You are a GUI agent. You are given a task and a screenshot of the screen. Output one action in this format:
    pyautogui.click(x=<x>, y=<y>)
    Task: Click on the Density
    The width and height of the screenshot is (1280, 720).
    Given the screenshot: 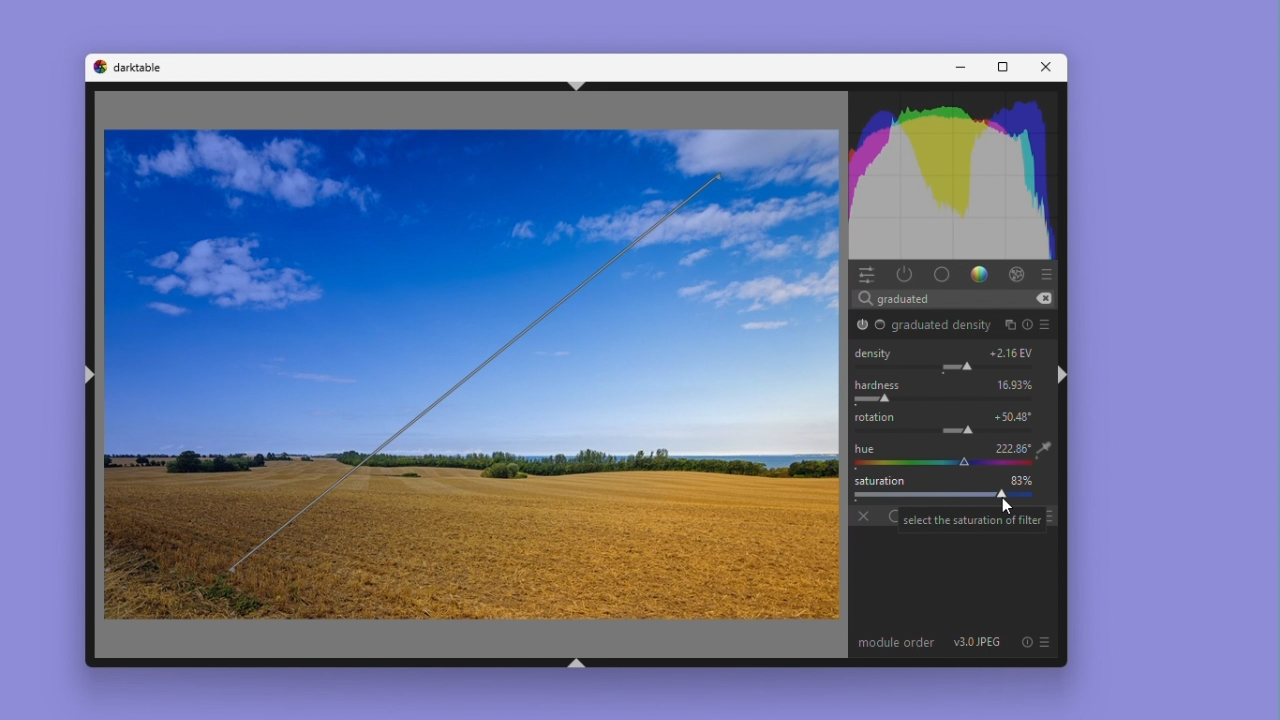 What is the action you would take?
    pyautogui.click(x=876, y=352)
    